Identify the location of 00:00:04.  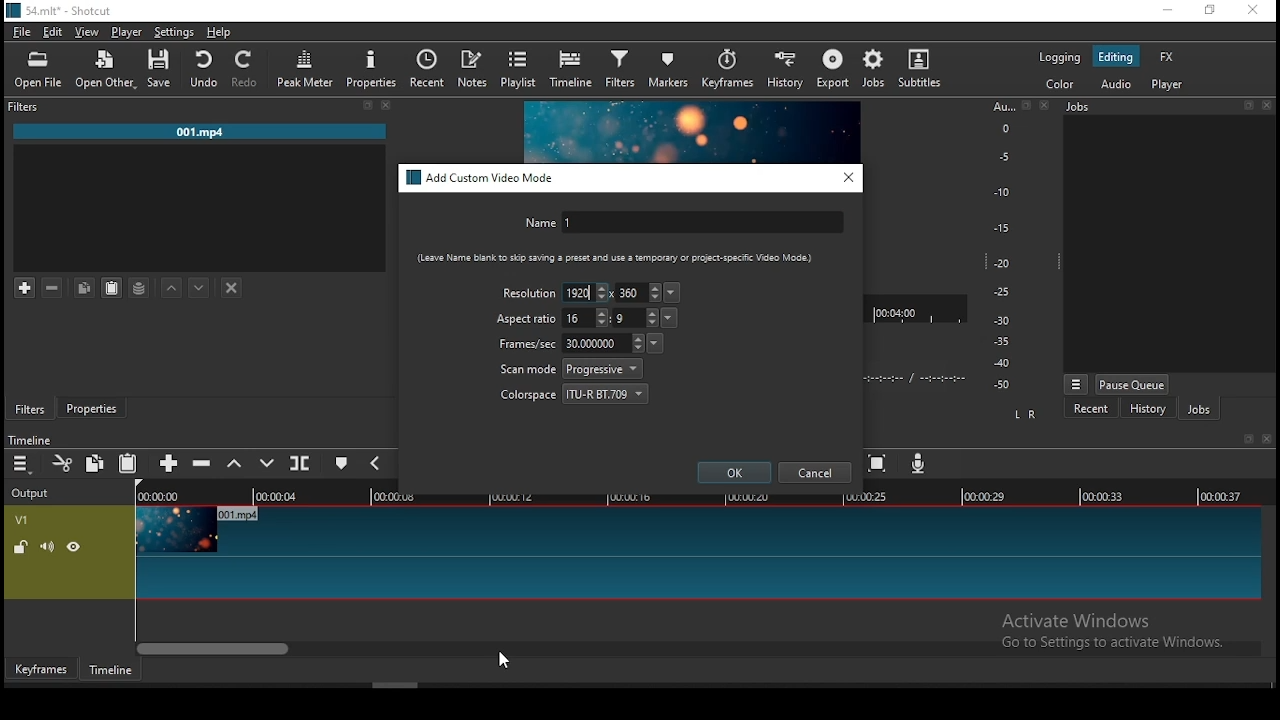
(279, 496).